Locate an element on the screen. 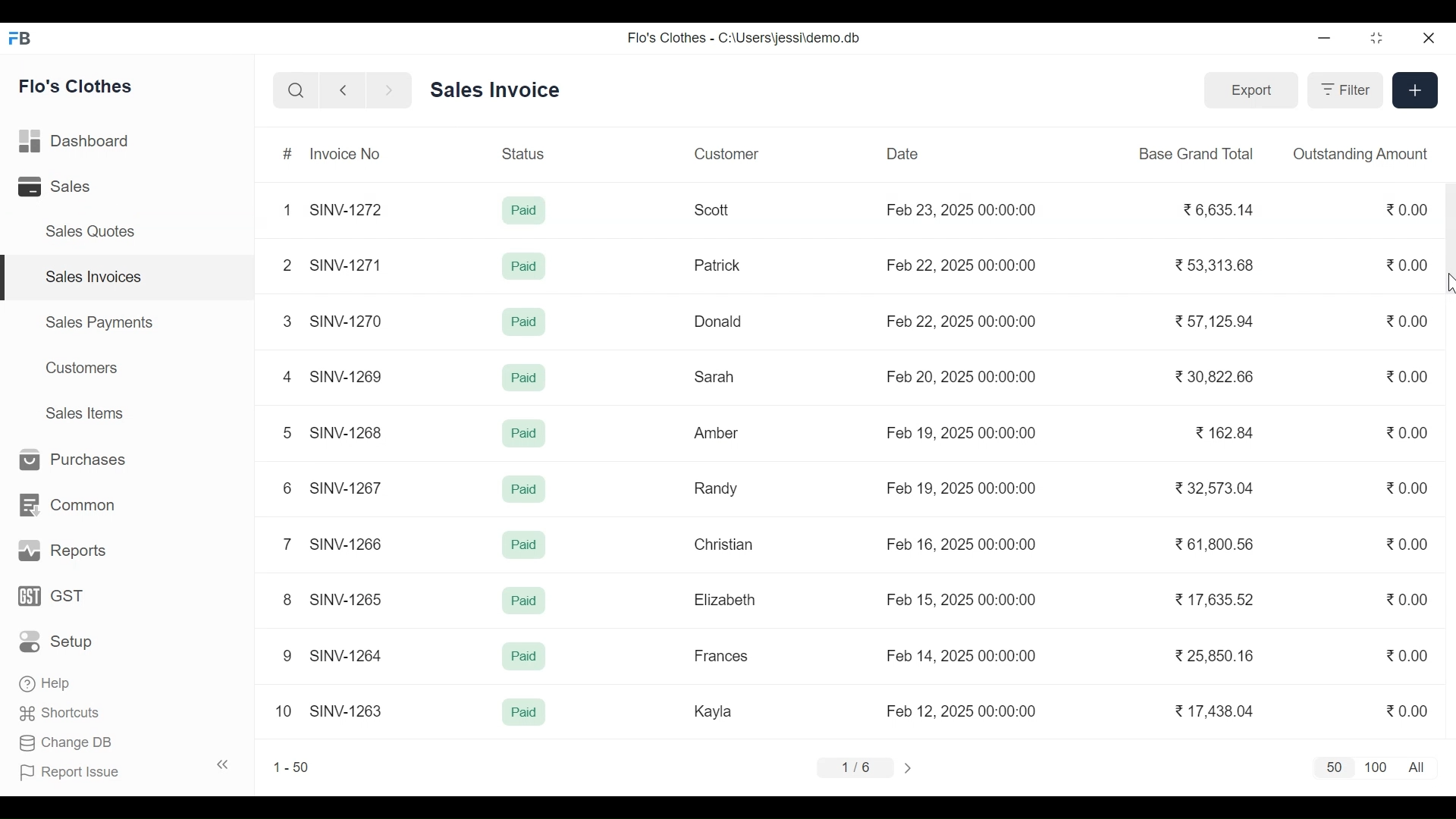 The image size is (1456, 819). Filter is located at coordinates (1343, 89).